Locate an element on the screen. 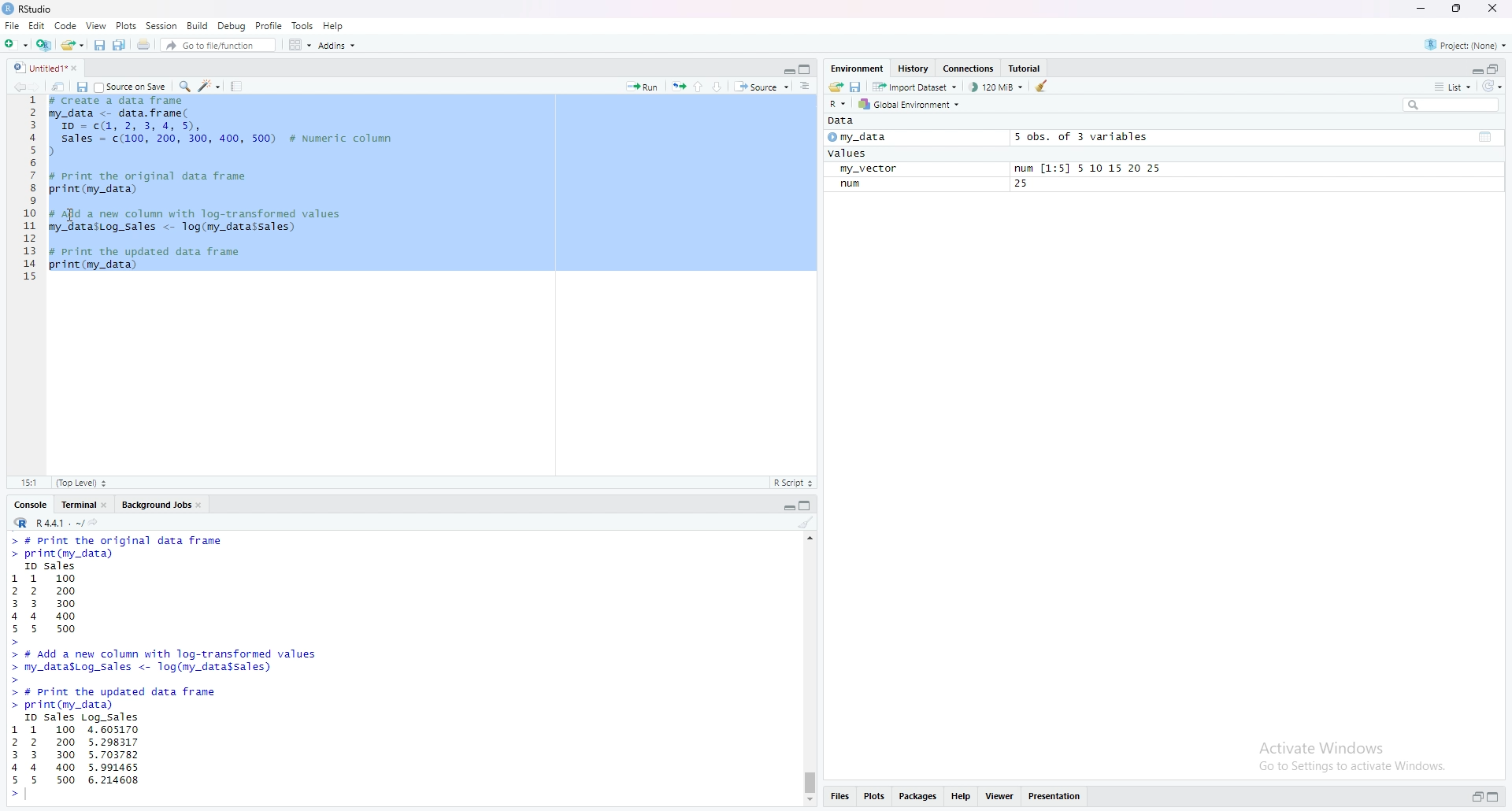 Image resolution: width=1512 pixels, height=811 pixels. table is located at coordinates (1486, 136).